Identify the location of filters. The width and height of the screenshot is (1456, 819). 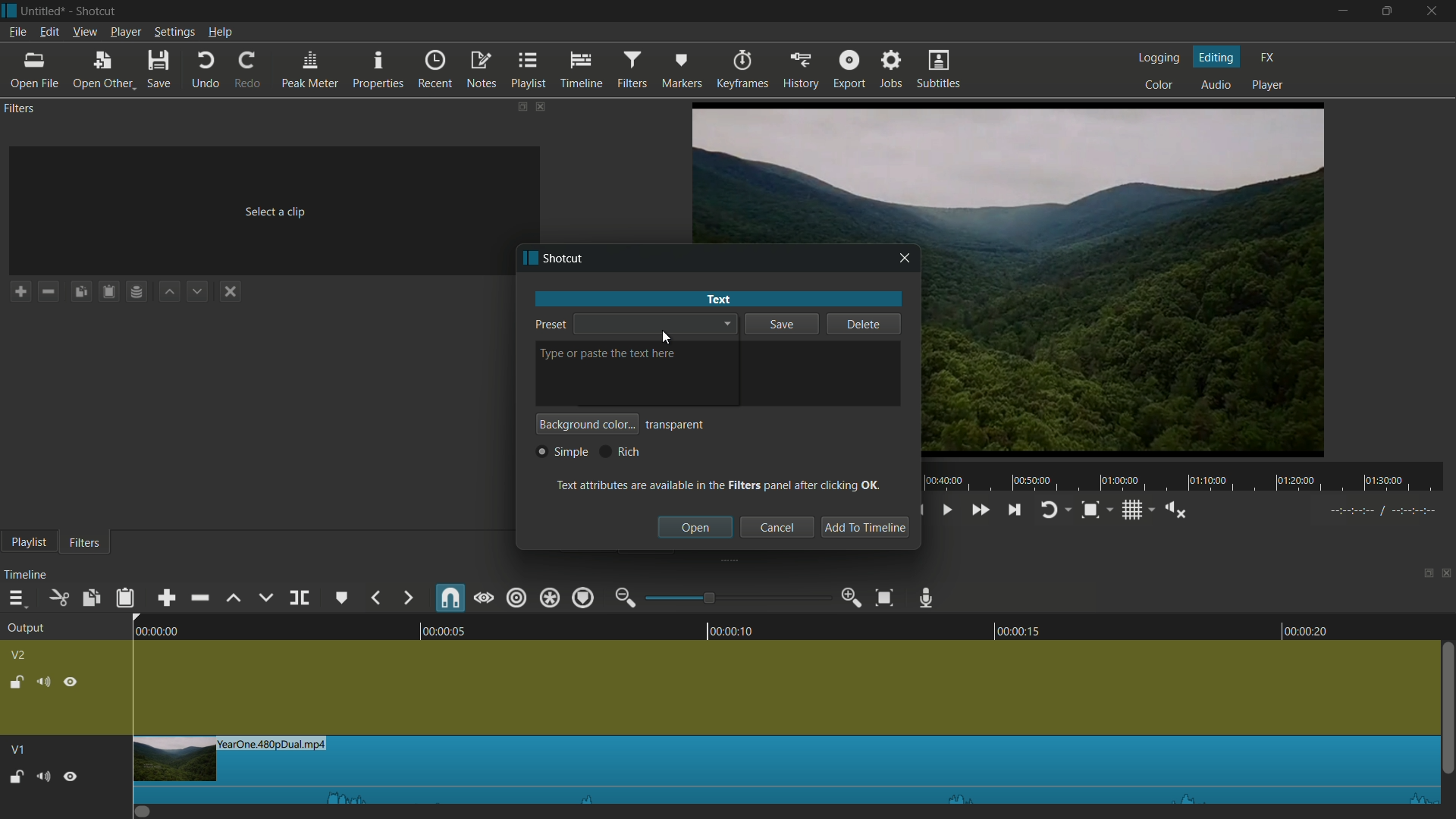
(88, 542).